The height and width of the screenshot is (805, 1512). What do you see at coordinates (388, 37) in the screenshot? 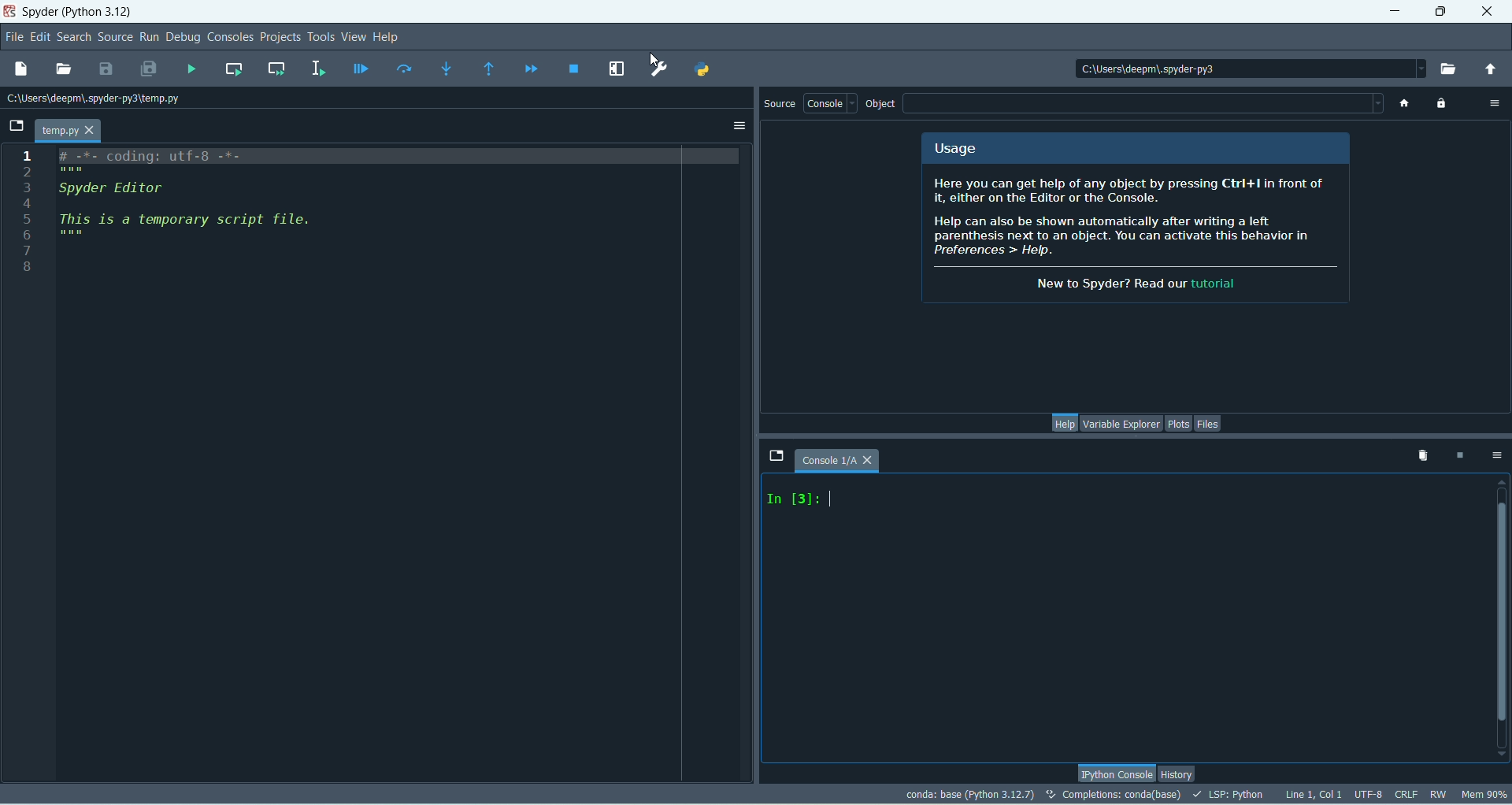
I see `help` at bounding box center [388, 37].